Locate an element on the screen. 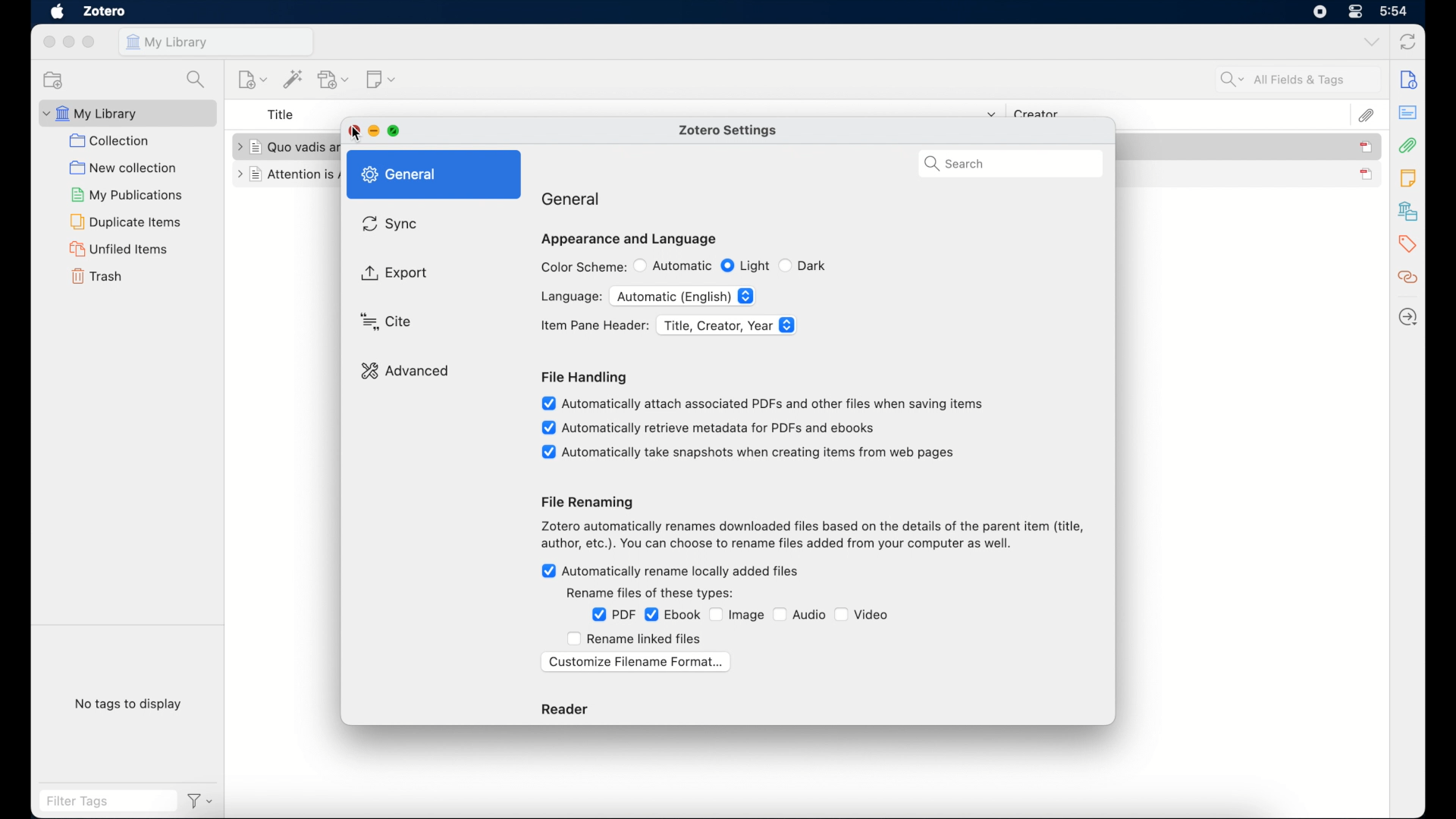 The width and height of the screenshot is (1456, 819). rename files of these types is located at coordinates (651, 593).